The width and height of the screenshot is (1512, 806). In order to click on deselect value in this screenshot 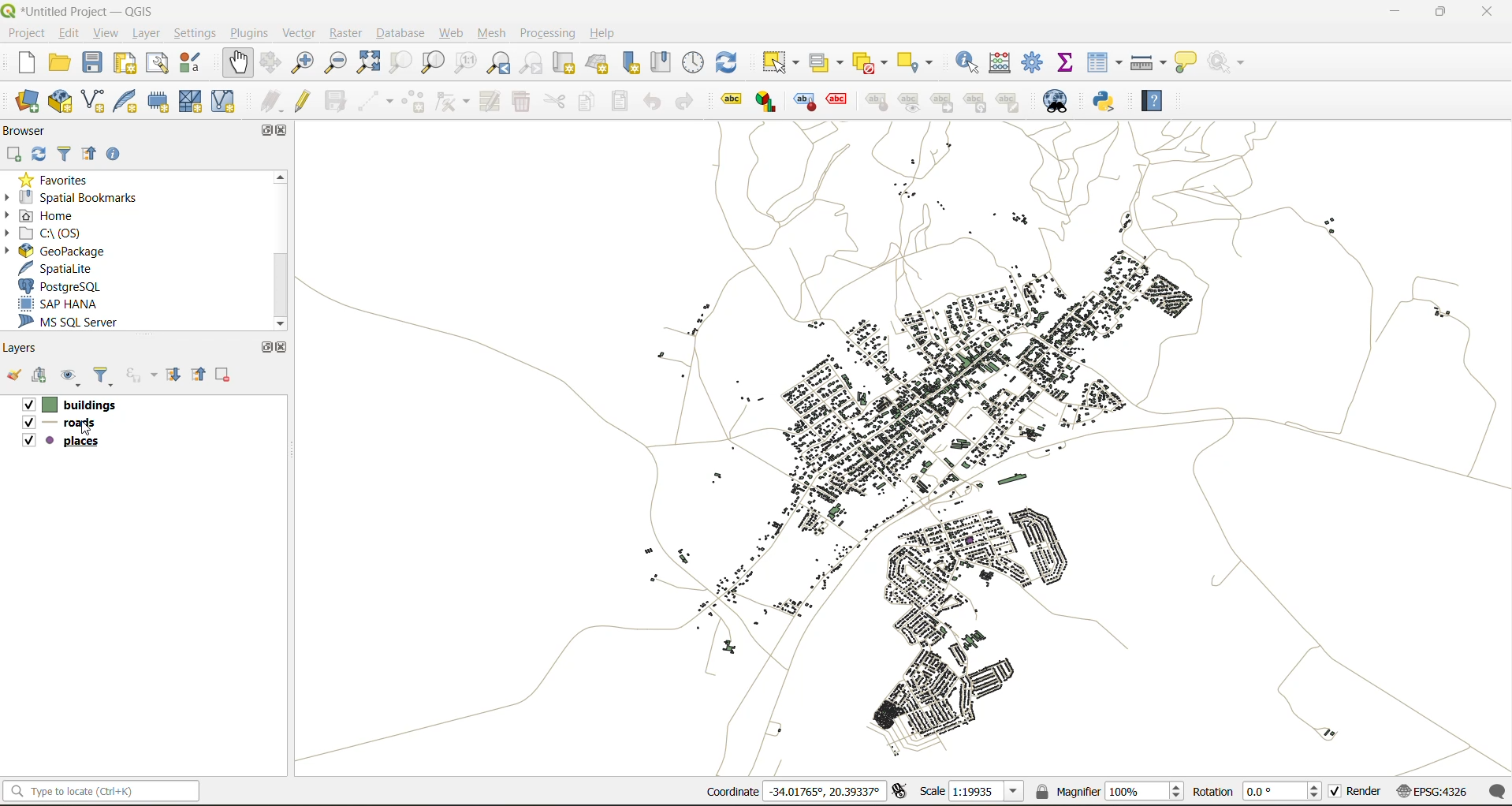, I will do `click(873, 64)`.